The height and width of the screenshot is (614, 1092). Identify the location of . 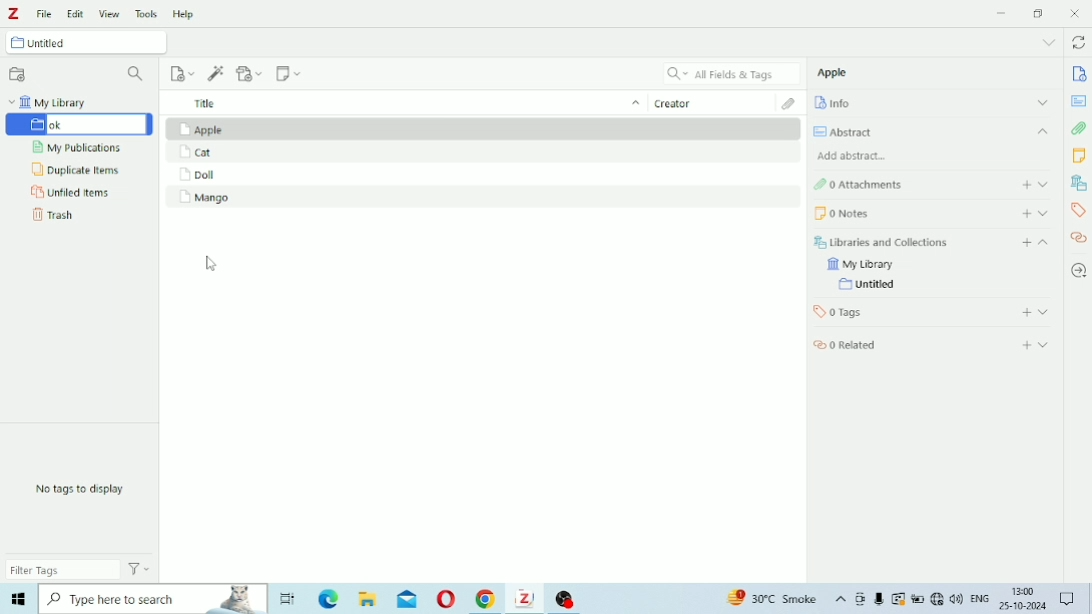
(565, 598).